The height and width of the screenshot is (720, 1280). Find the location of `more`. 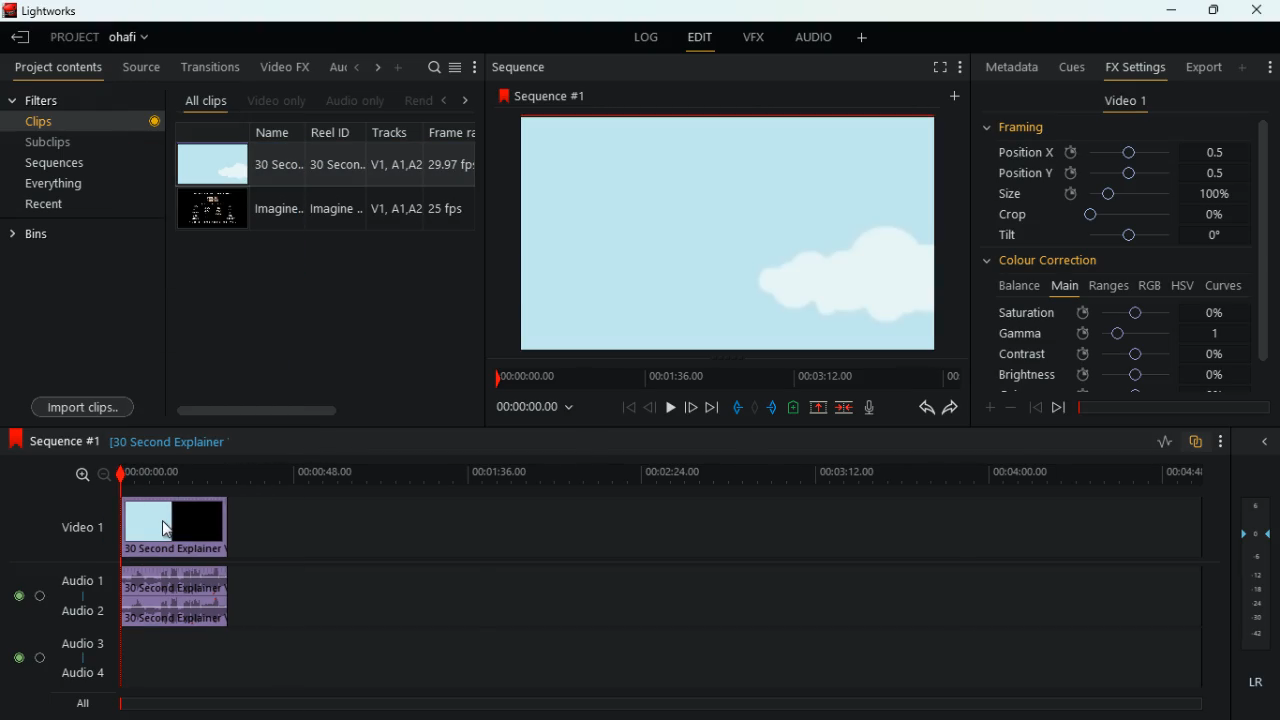

more is located at coordinates (960, 67).